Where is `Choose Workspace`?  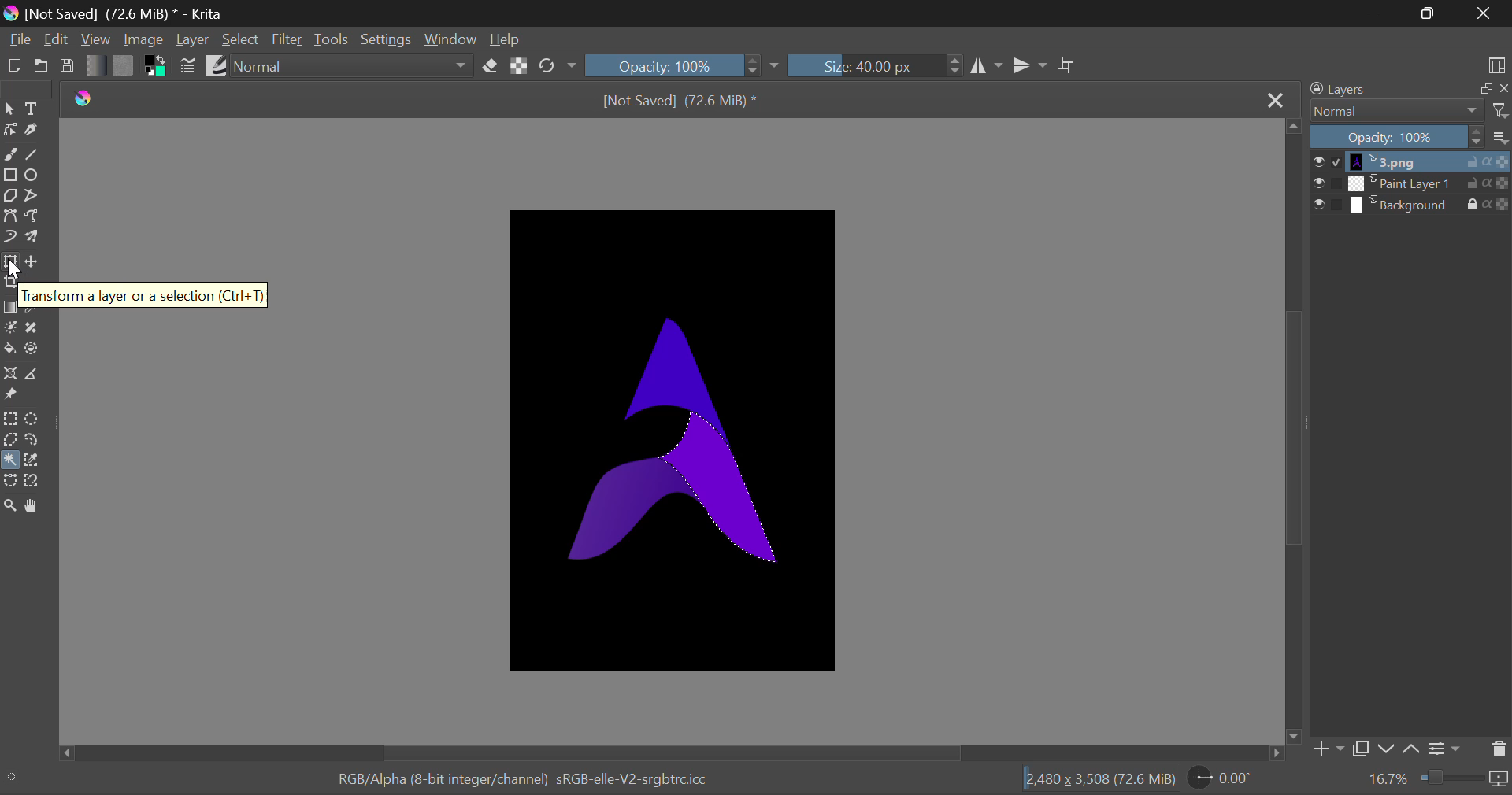 Choose Workspace is located at coordinates (1497, 65).